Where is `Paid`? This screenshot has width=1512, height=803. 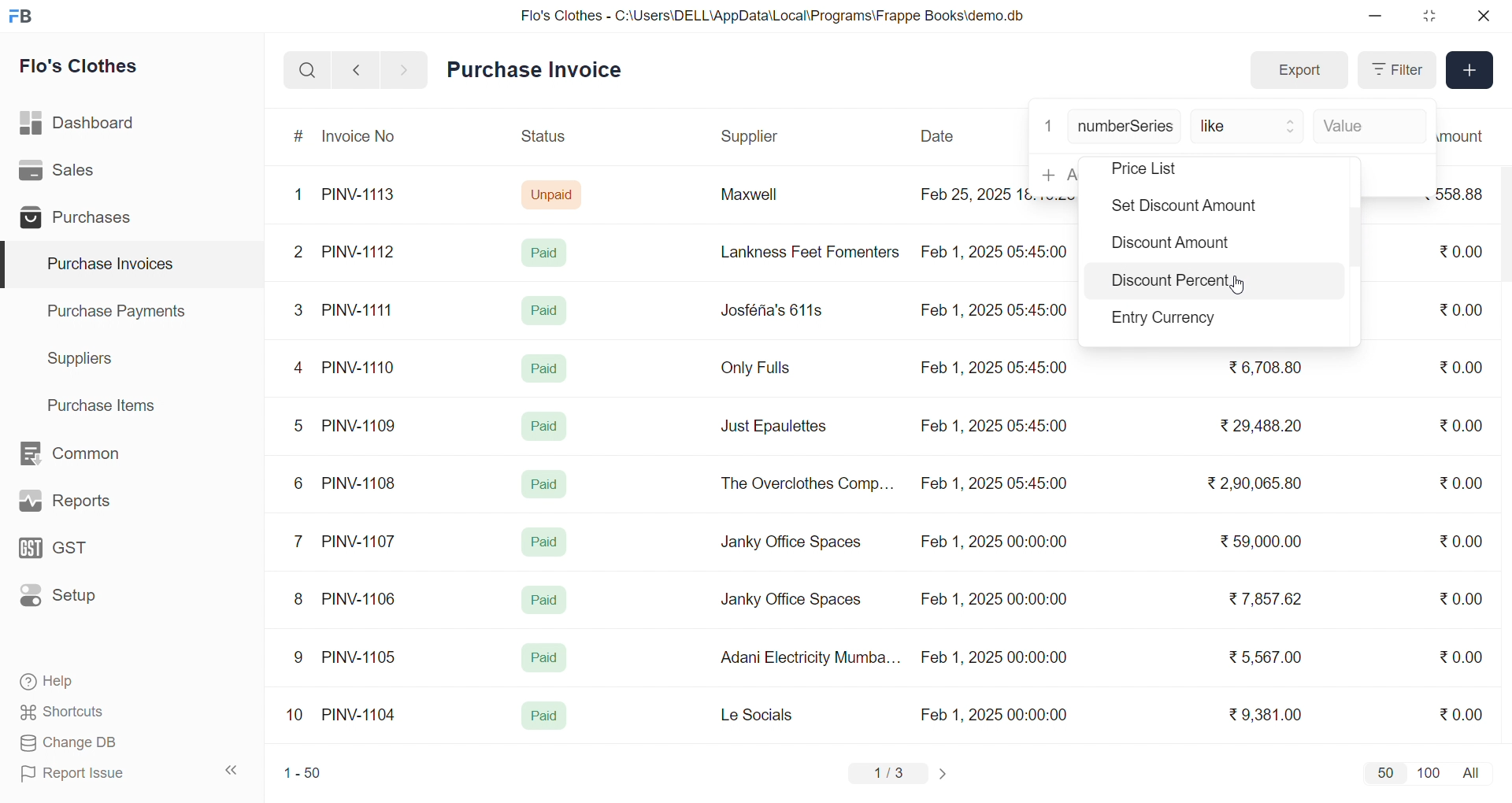
Paid is located at coordinates (544, 716).